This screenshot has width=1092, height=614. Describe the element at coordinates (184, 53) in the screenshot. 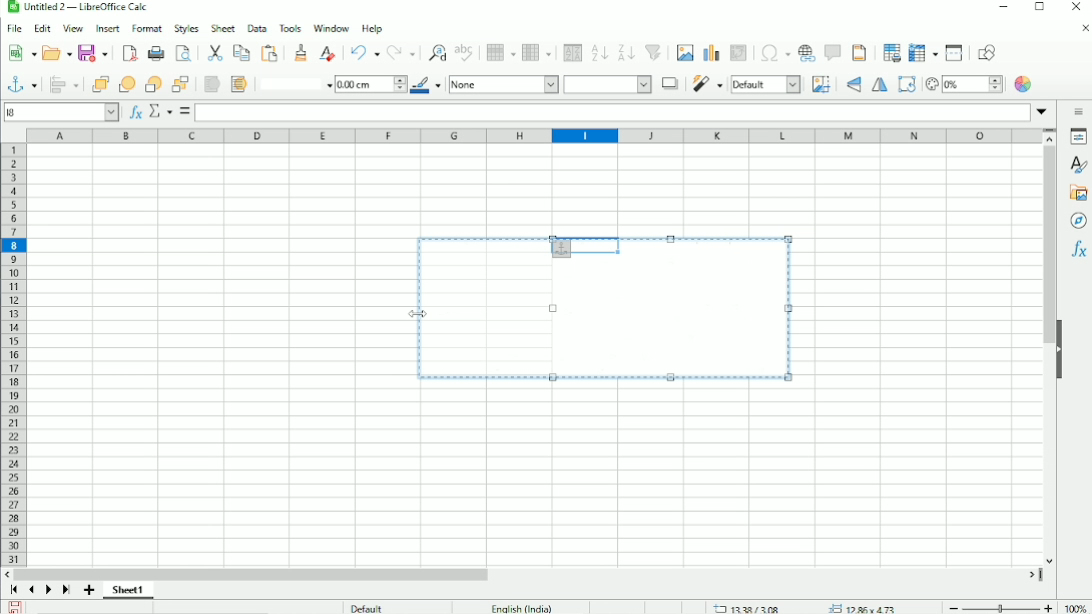

I see `Toggle print preview` at that location.